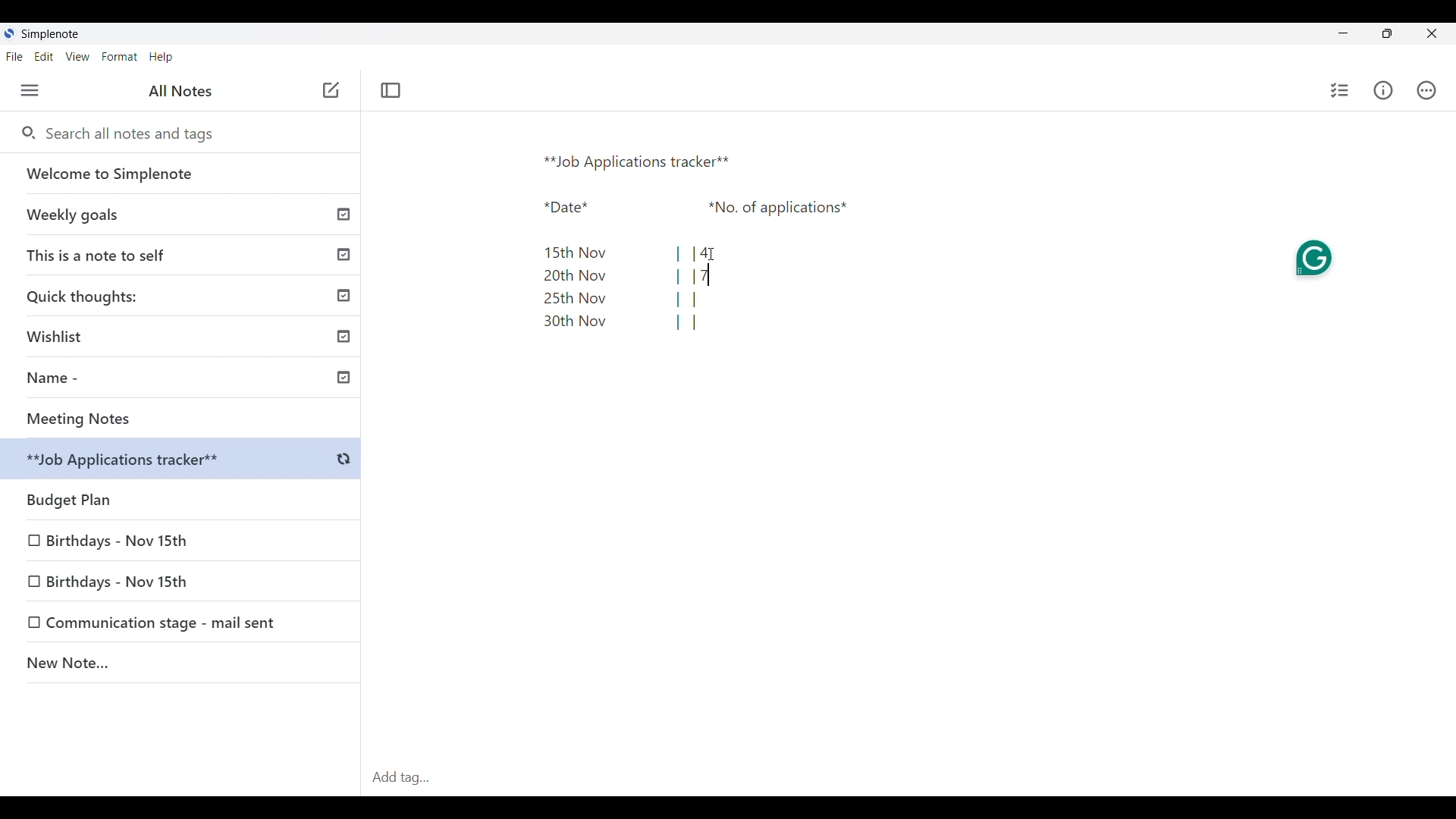 The height and width of the screenshot is (819, 1456). Describe the element at coordinates (8, 33) in the screenshot. I see `Software logo` at that location.